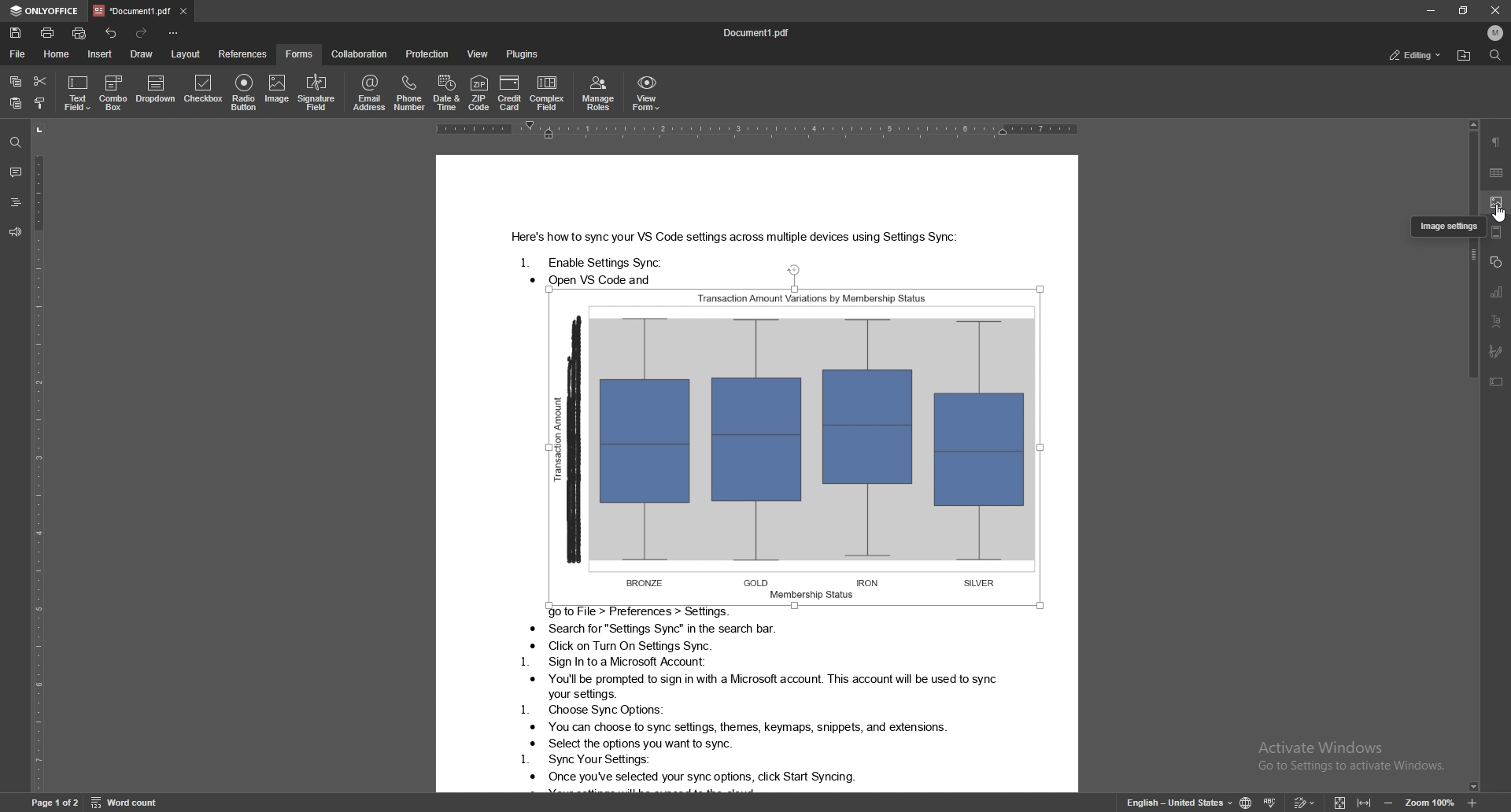 The image size is (1511, 812). Describe the element at coordinates (797, 445) in the screenshot. I see `image selected` at that location.